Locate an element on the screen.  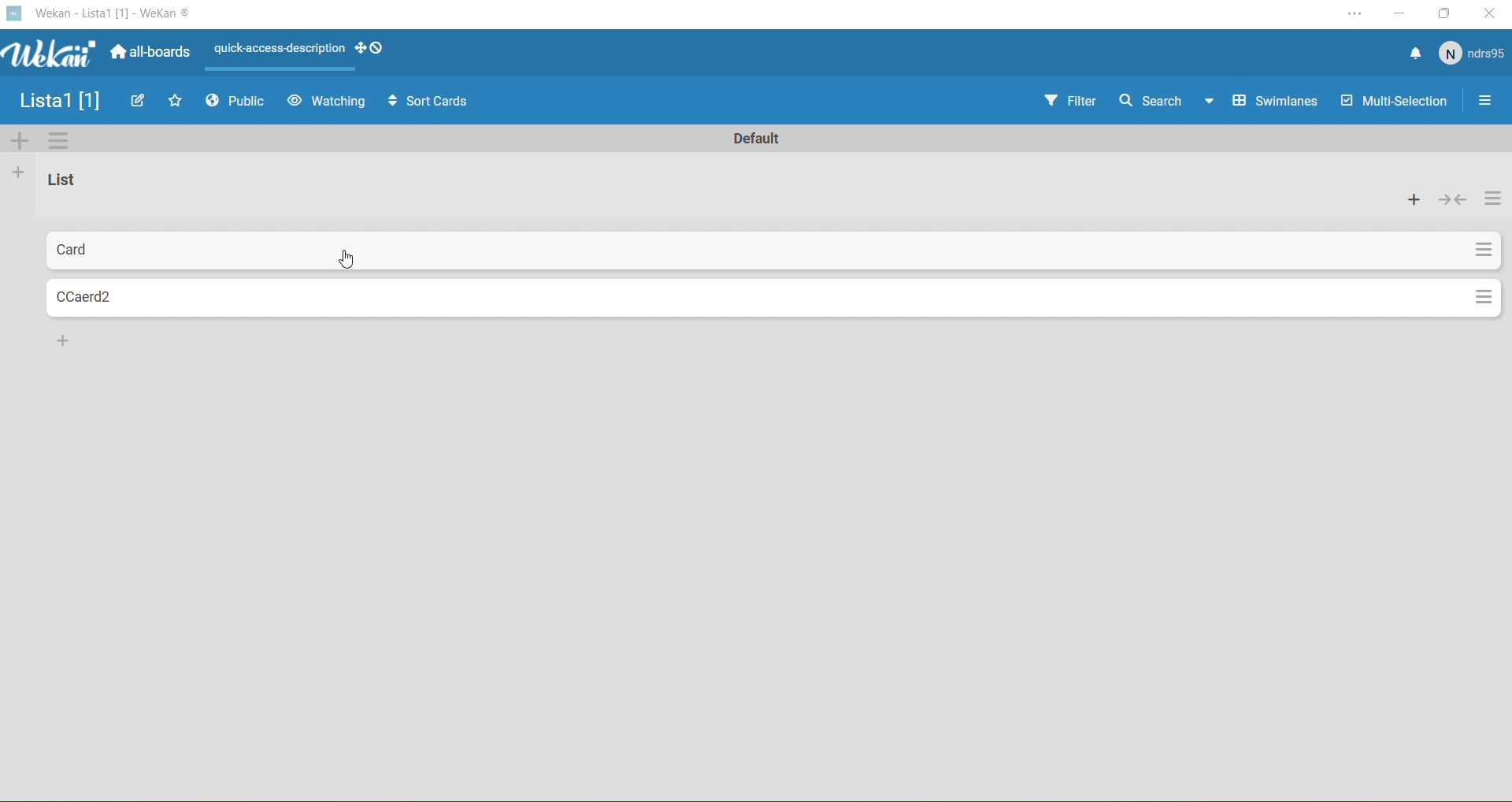
User is located at coordinates (1473, 54).